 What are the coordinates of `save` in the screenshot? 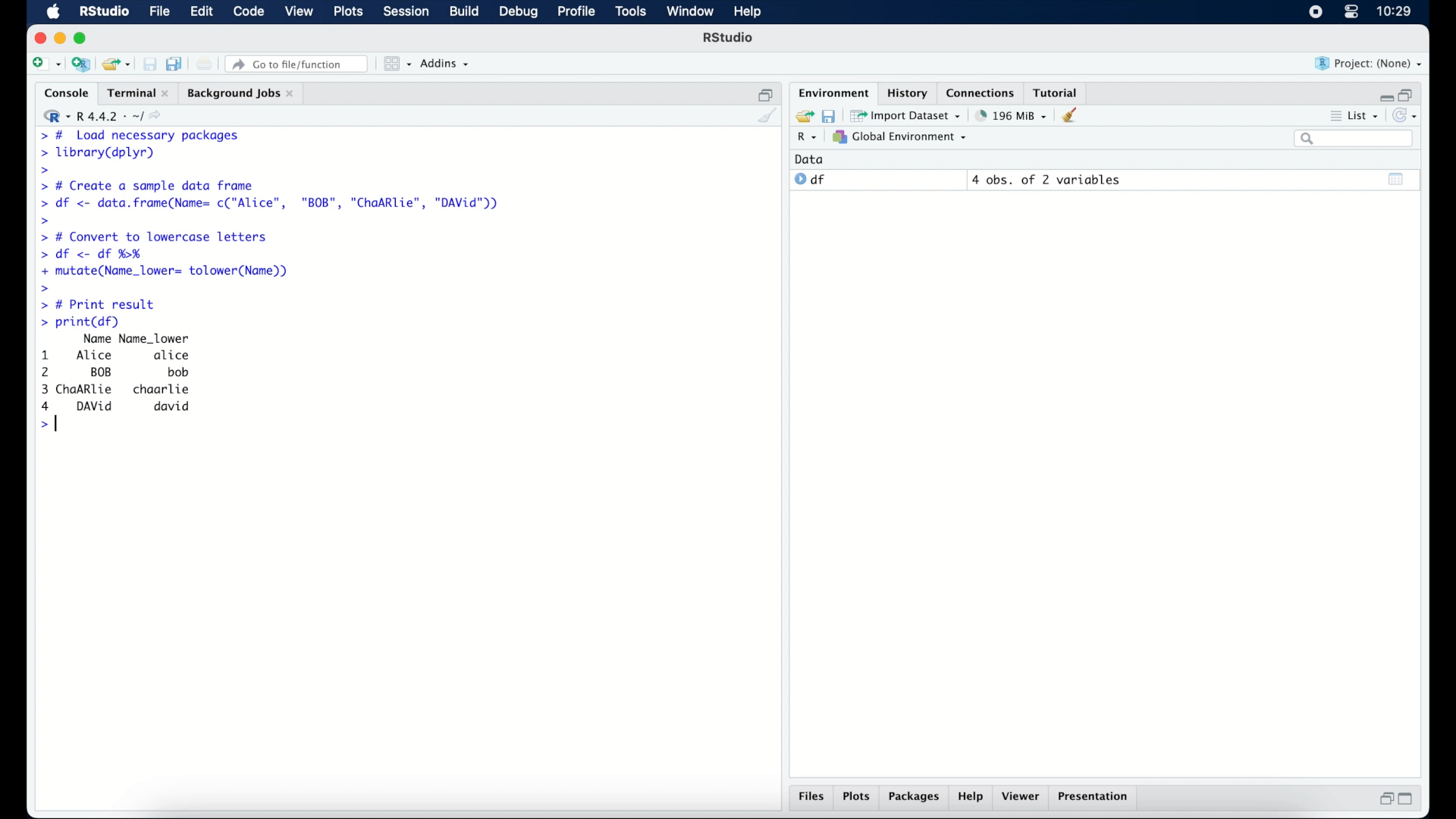 It's located at (828, 115).